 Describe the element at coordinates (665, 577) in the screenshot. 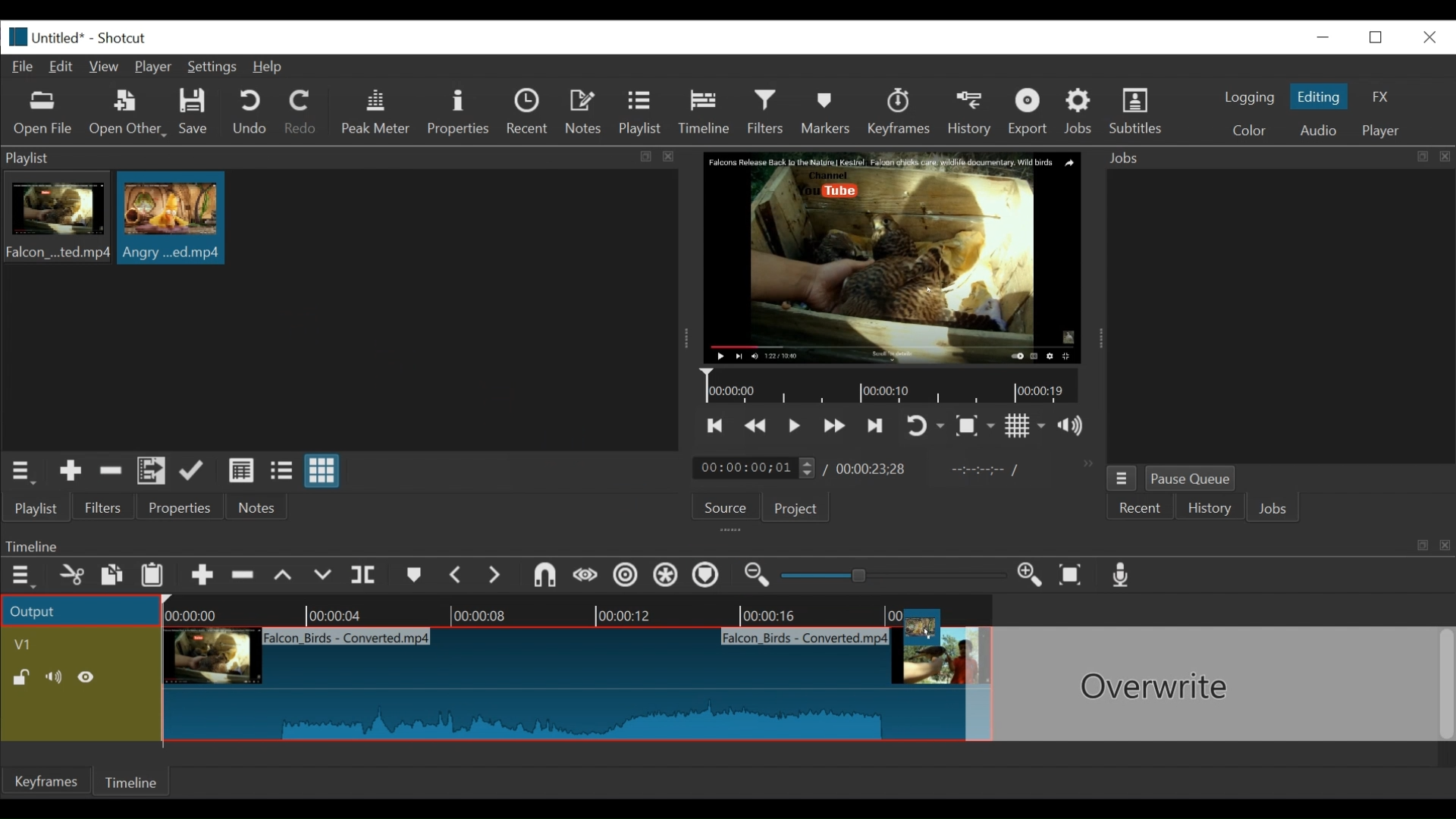

I see `Ripple all tracks` at that location.